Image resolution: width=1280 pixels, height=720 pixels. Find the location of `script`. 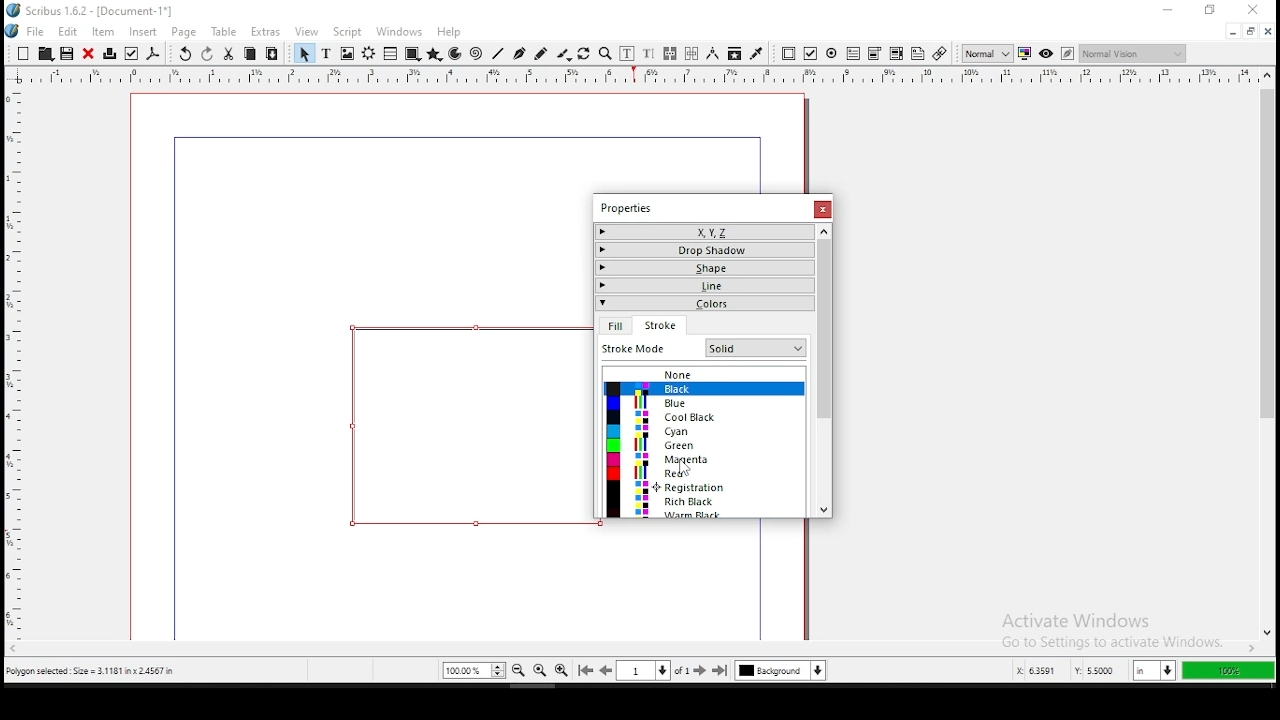

script is located at coordinates (346, 32).